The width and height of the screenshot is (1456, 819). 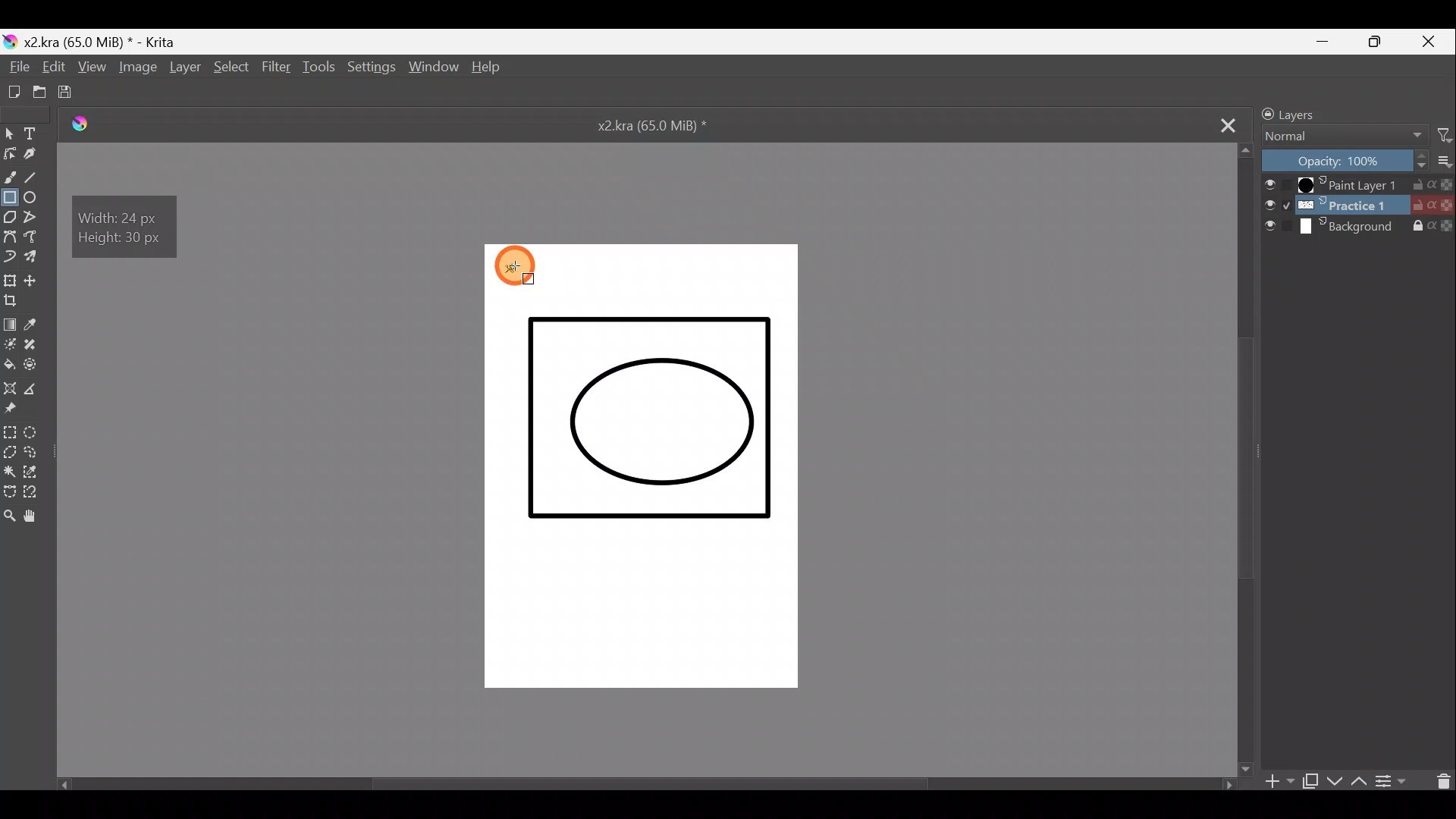 I want to click on Lock/unlock docker, so click(x=1261, y=111).